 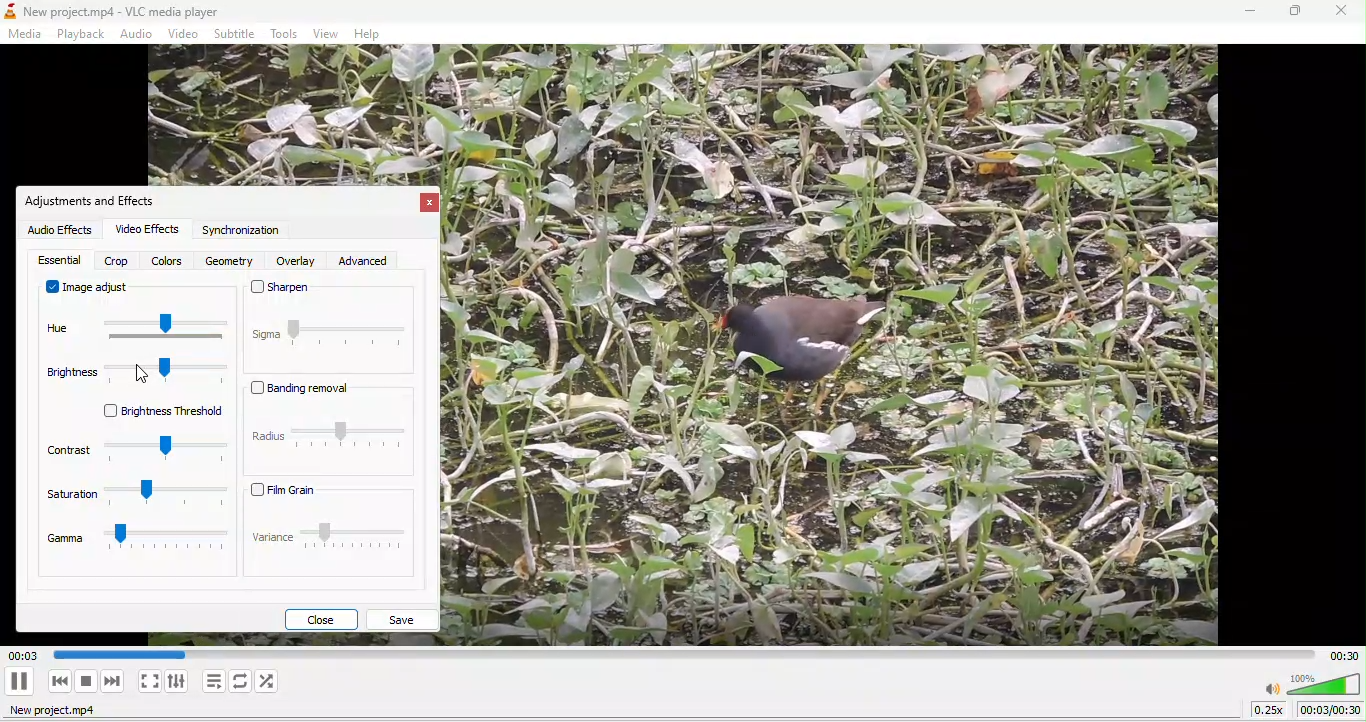 I want to click on image, so click(x=849, y=349).